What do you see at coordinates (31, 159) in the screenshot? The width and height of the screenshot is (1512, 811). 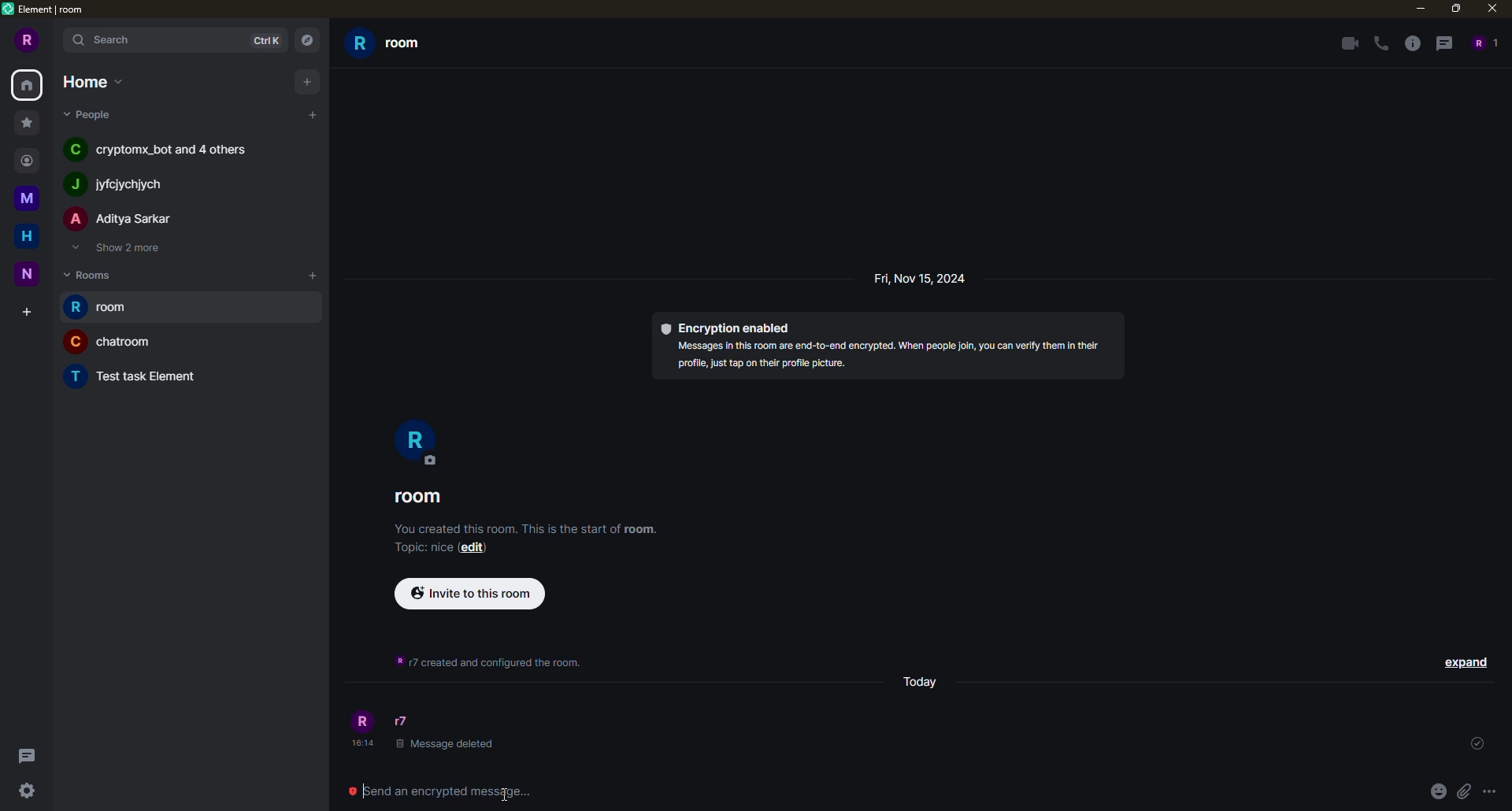 I see `contact` at bounding box center [31, 159].